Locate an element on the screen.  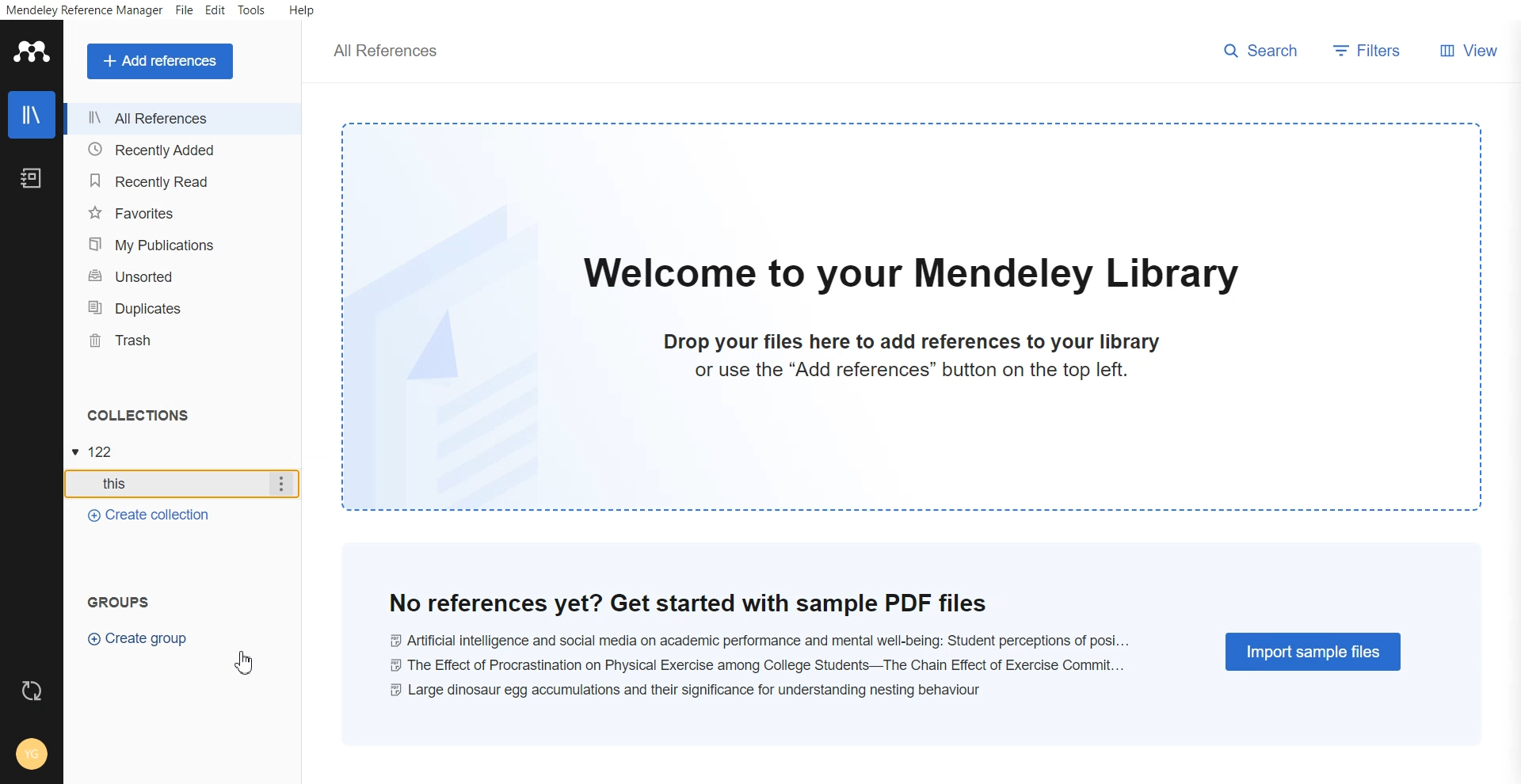
All references is located at coordinates (181, 119).